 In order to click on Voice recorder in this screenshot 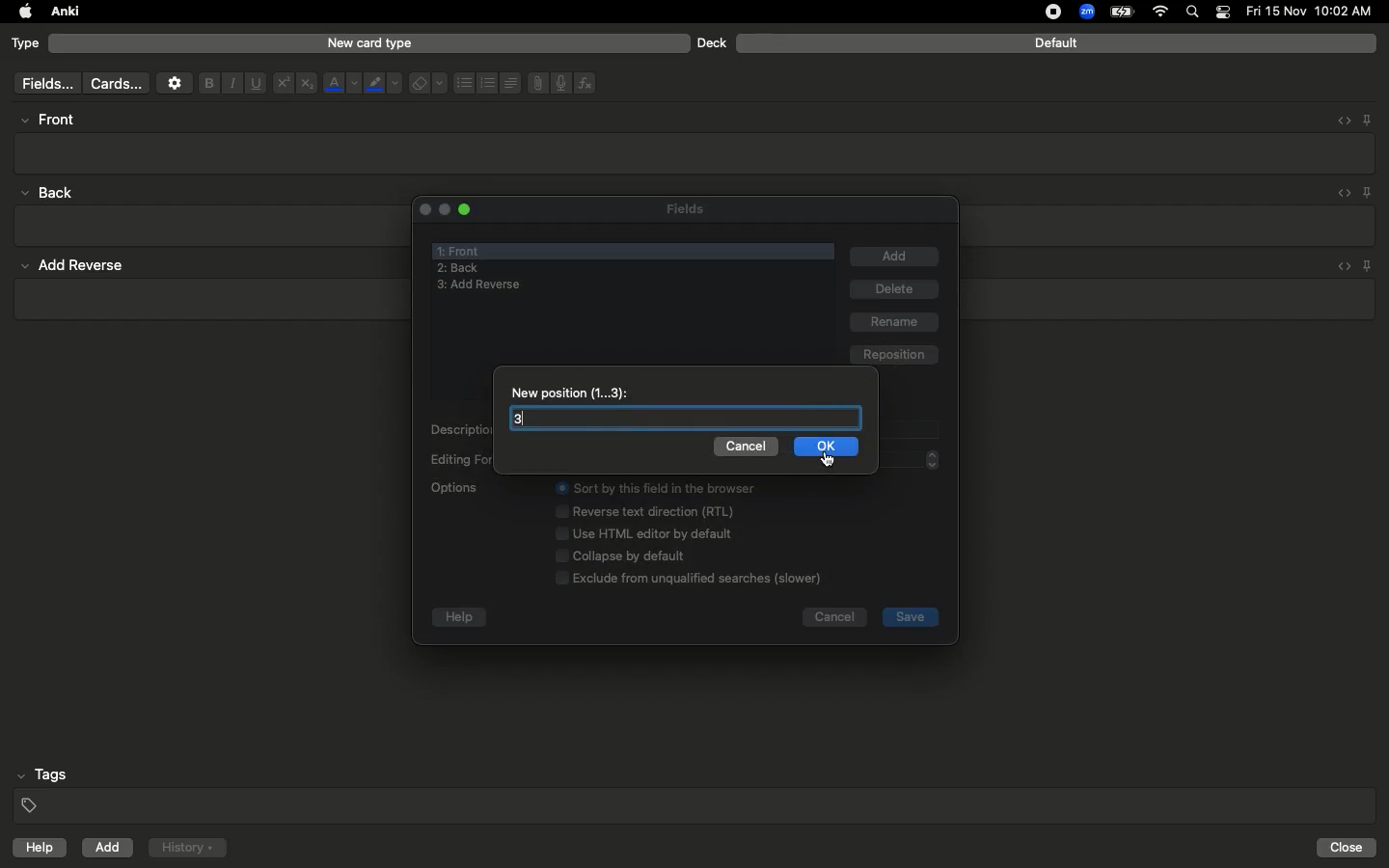, I will do `click(559, 81)`.